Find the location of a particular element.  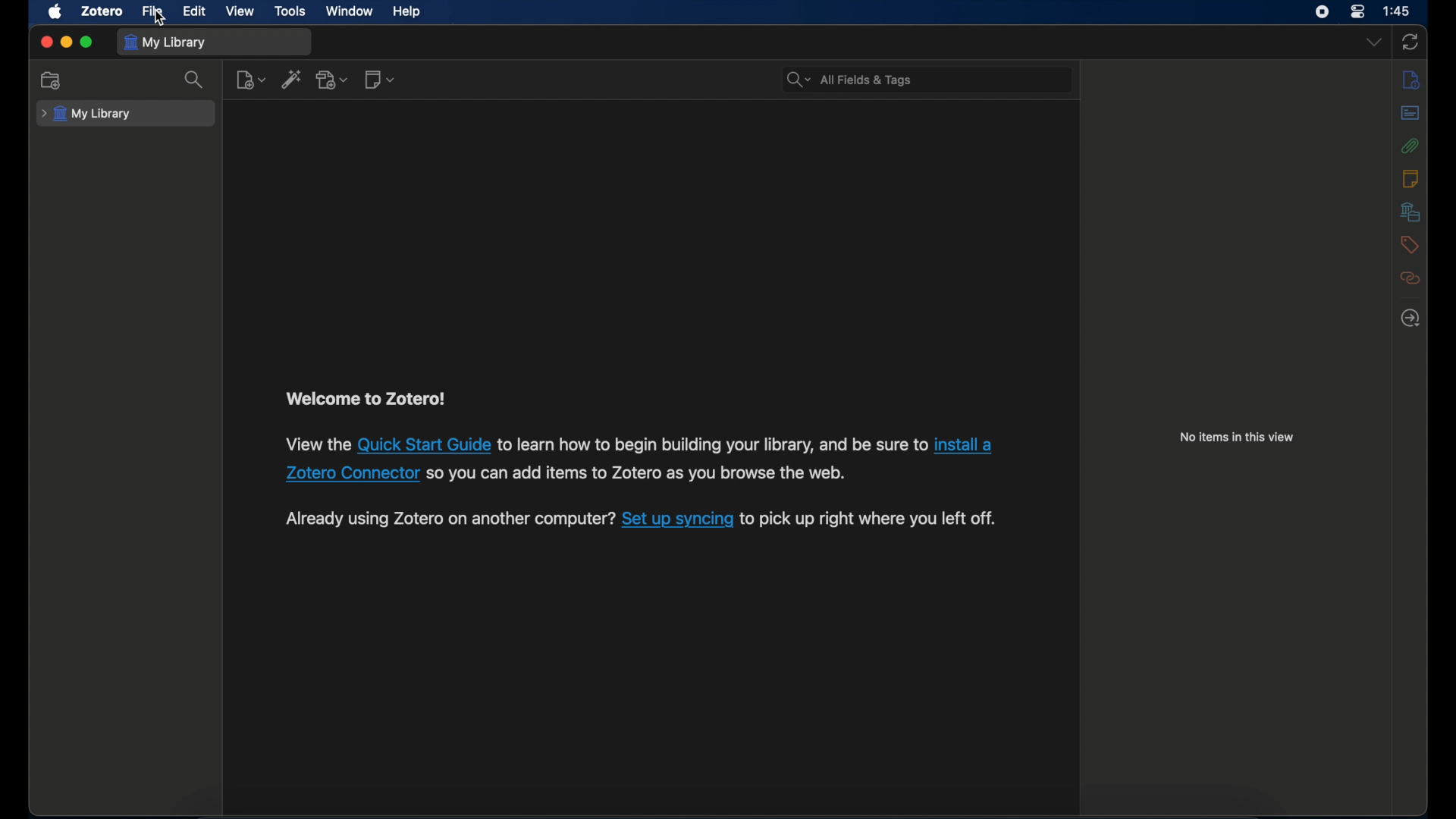

zotero is located at coordinates (103, 11).